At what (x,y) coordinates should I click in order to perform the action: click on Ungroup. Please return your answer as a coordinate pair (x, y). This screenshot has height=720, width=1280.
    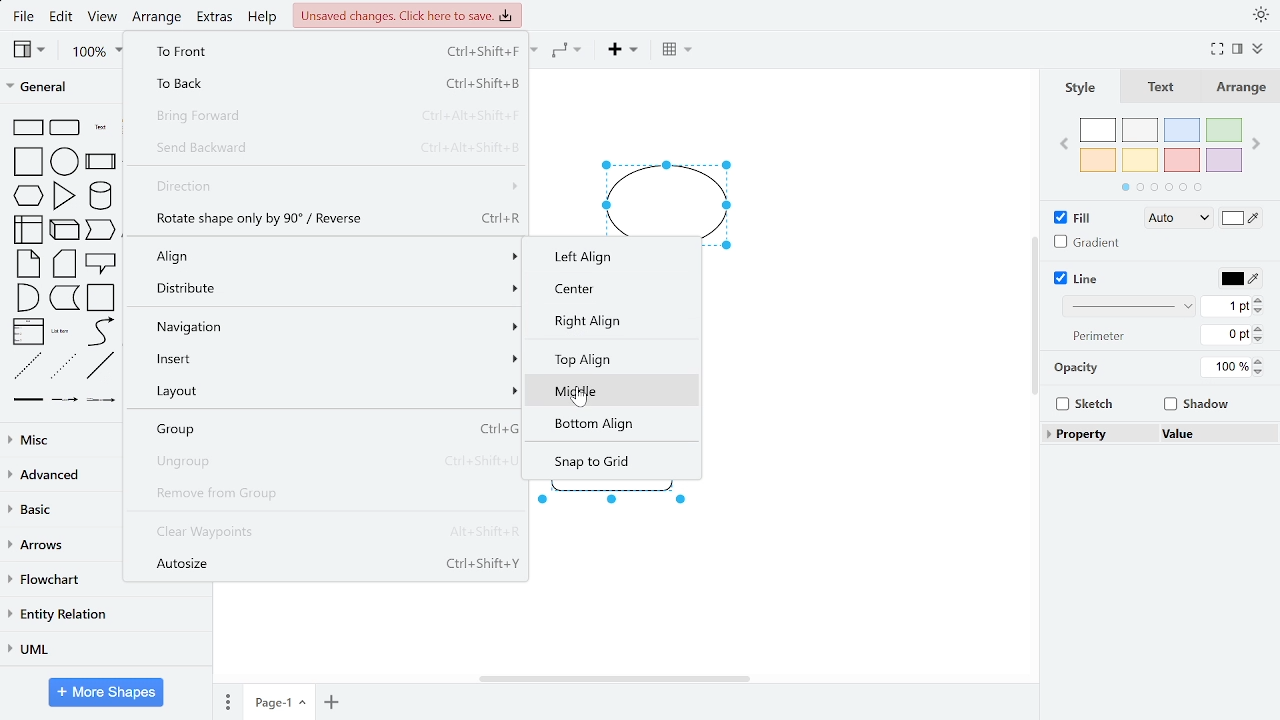
    Looking at the image, I should click on (327, 461).